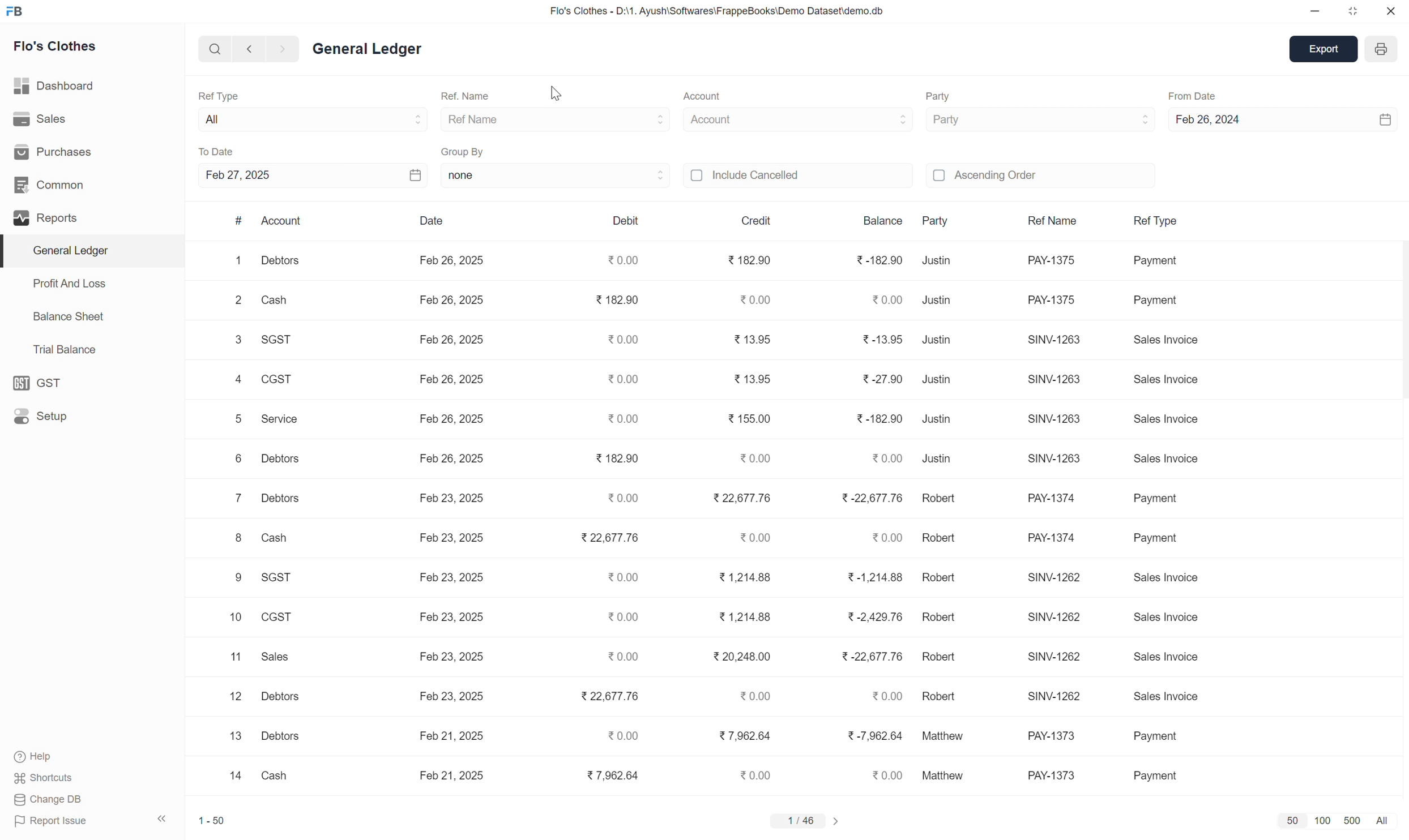 Image resolution: width=1409 pixels, height=840 pixels. I want to click on 500, so click(1350, 822).